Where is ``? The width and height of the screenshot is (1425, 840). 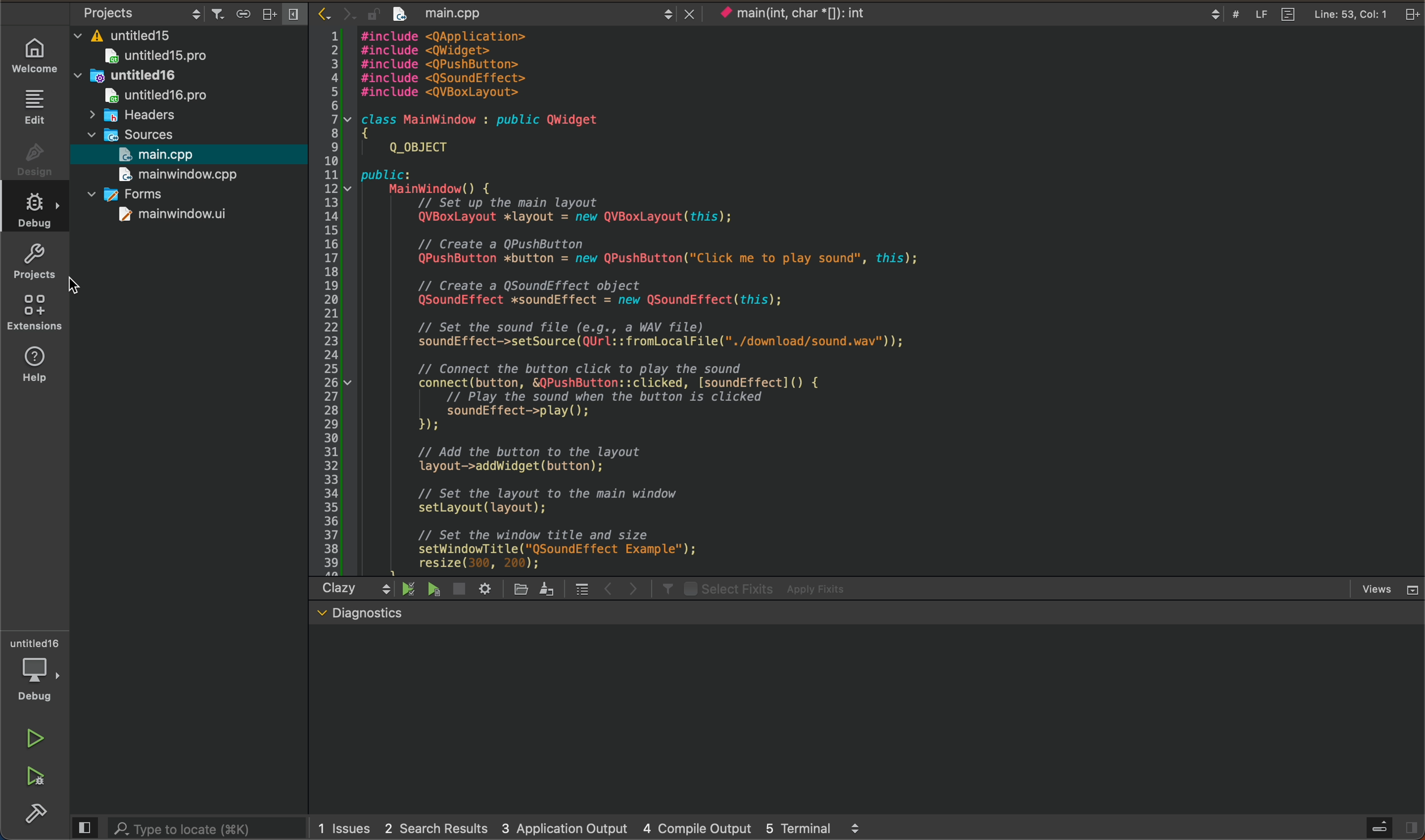
 is located at coordinates (132, 33).